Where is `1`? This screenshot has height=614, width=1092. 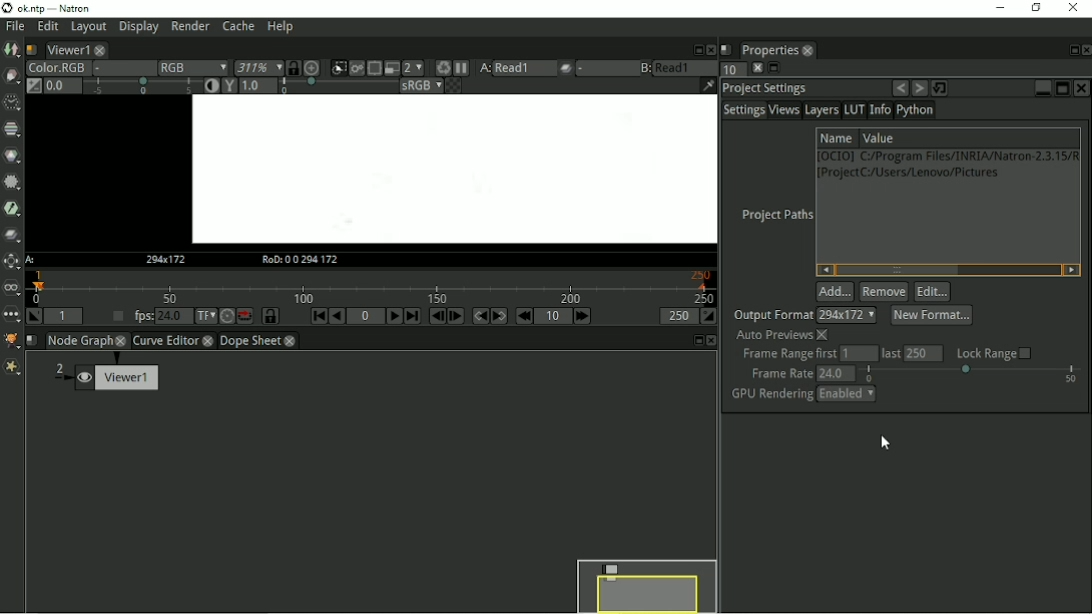
1 is located at coordinates (857, 354).